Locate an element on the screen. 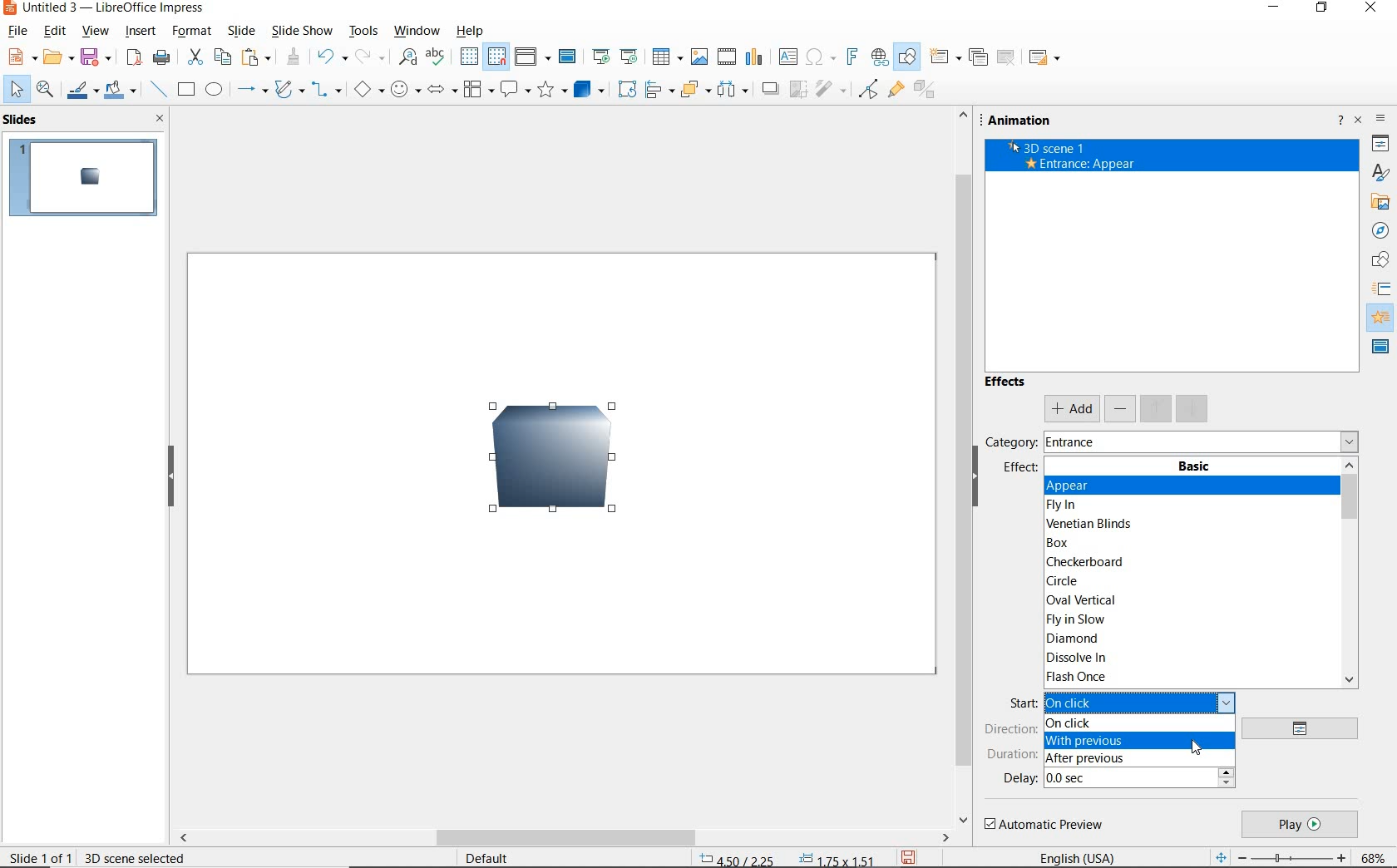  ON CLICK is located at coordinates (1135, 725).